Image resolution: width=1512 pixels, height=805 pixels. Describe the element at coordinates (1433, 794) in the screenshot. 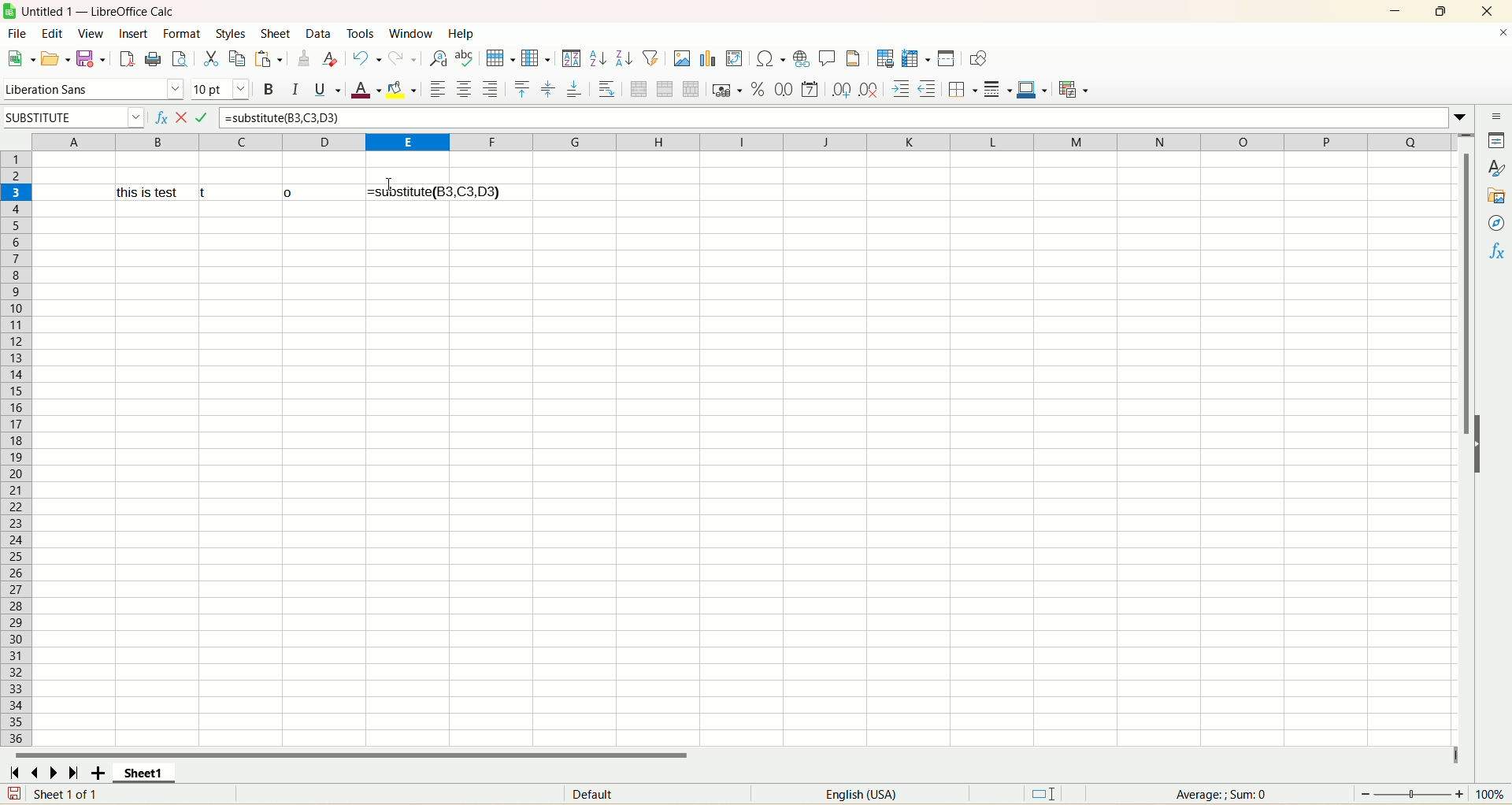

I see `zoom factor` at that location.